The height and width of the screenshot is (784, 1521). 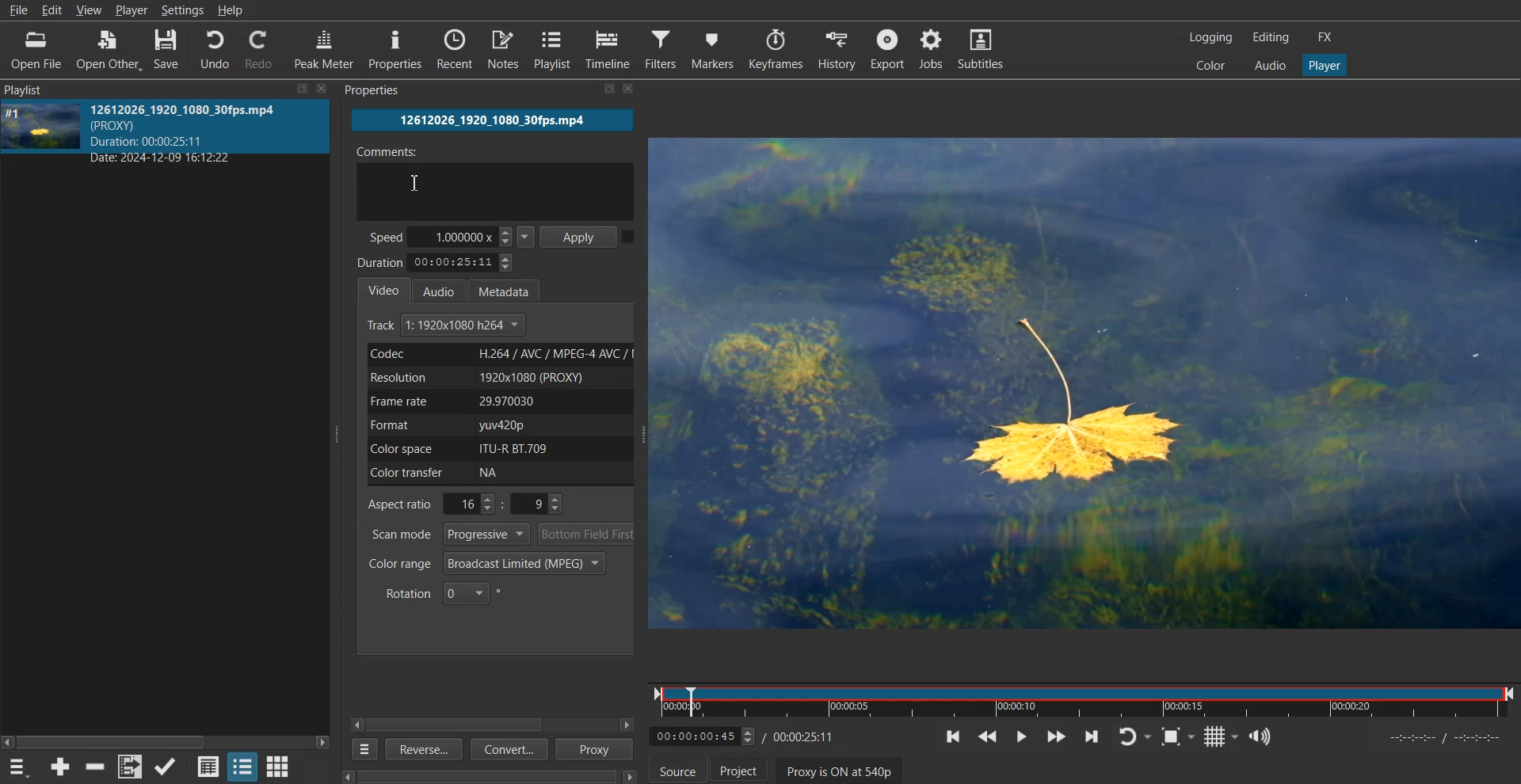 I want to click on Time duration adjuster, so click(x=437, y=262).